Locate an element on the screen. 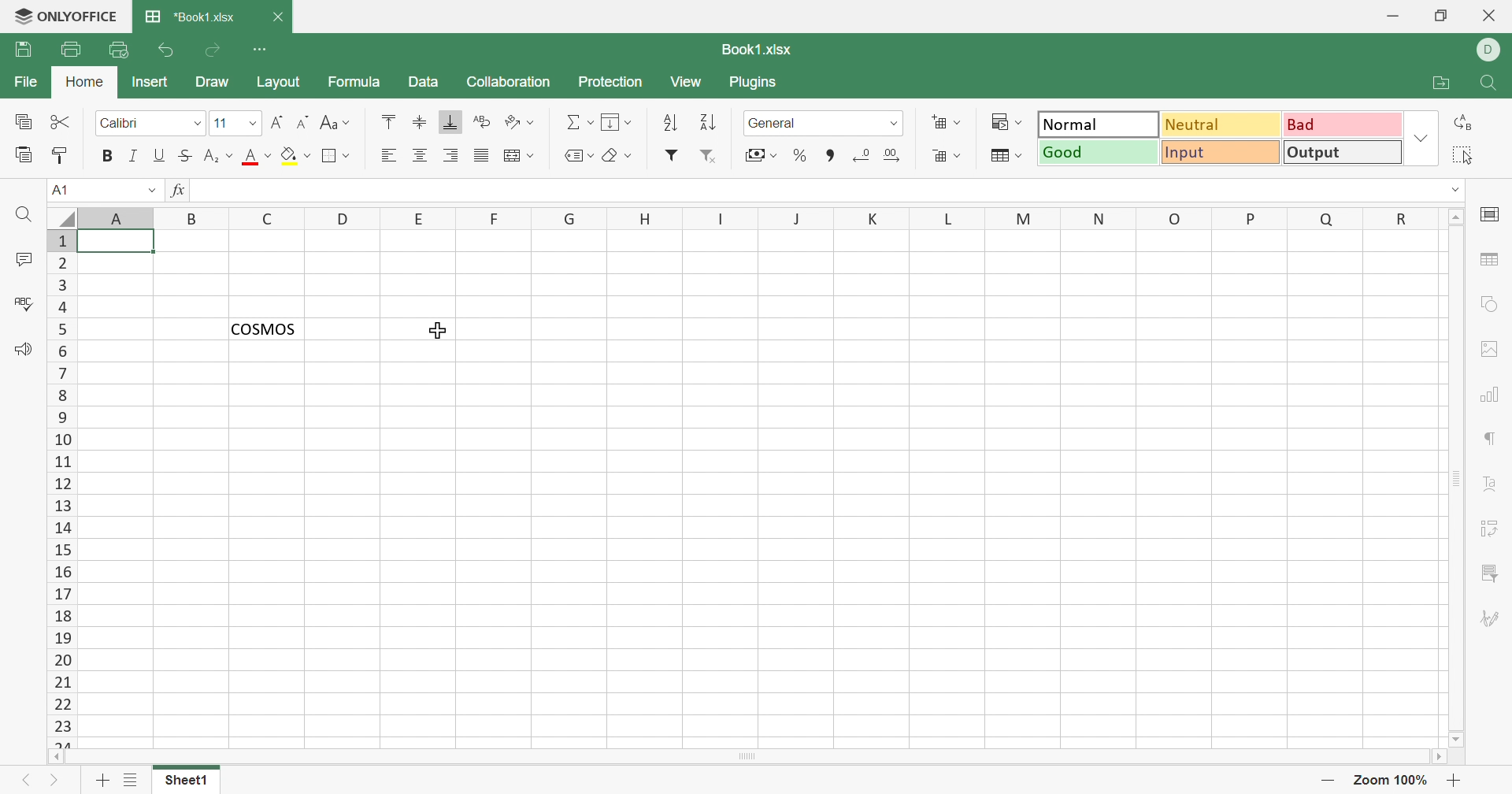  View is located at coordinates (688, 83).